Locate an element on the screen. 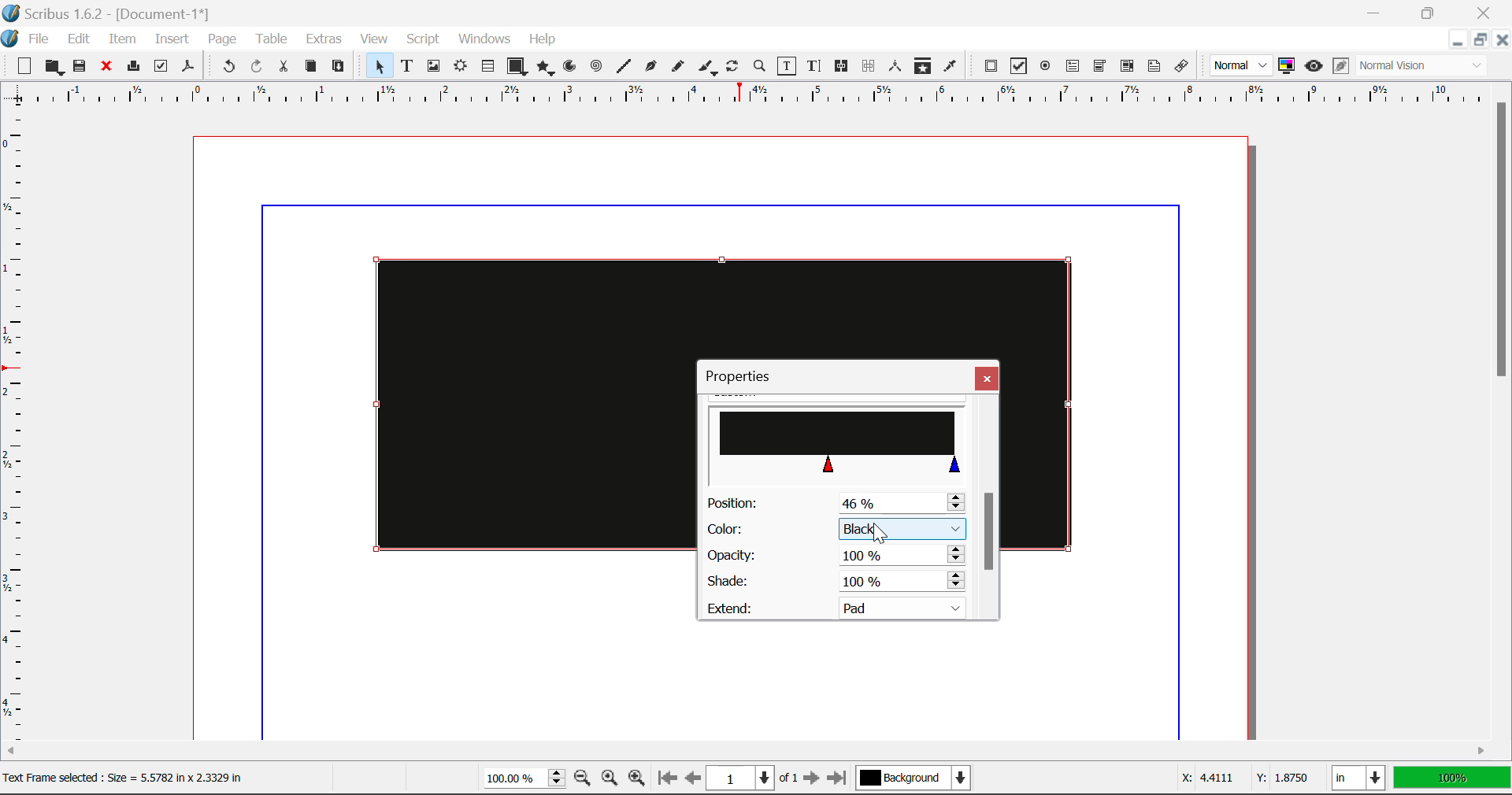  Visual Appearance Type is located at coordinates (1423, 67).